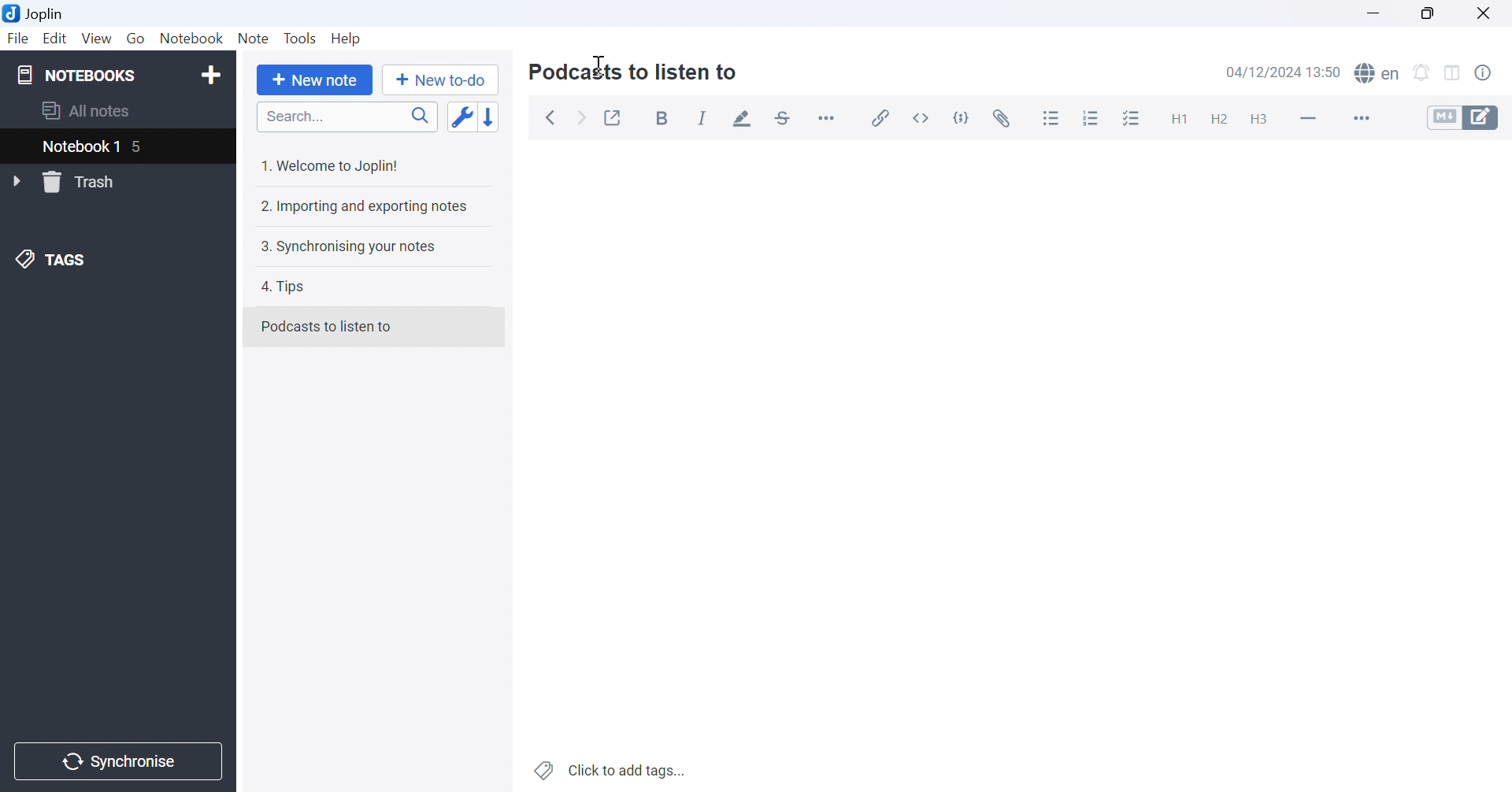 Image resolution: width=1512 pixels, height=792 pixels. I want to click on Joplin, so click(36, 13).